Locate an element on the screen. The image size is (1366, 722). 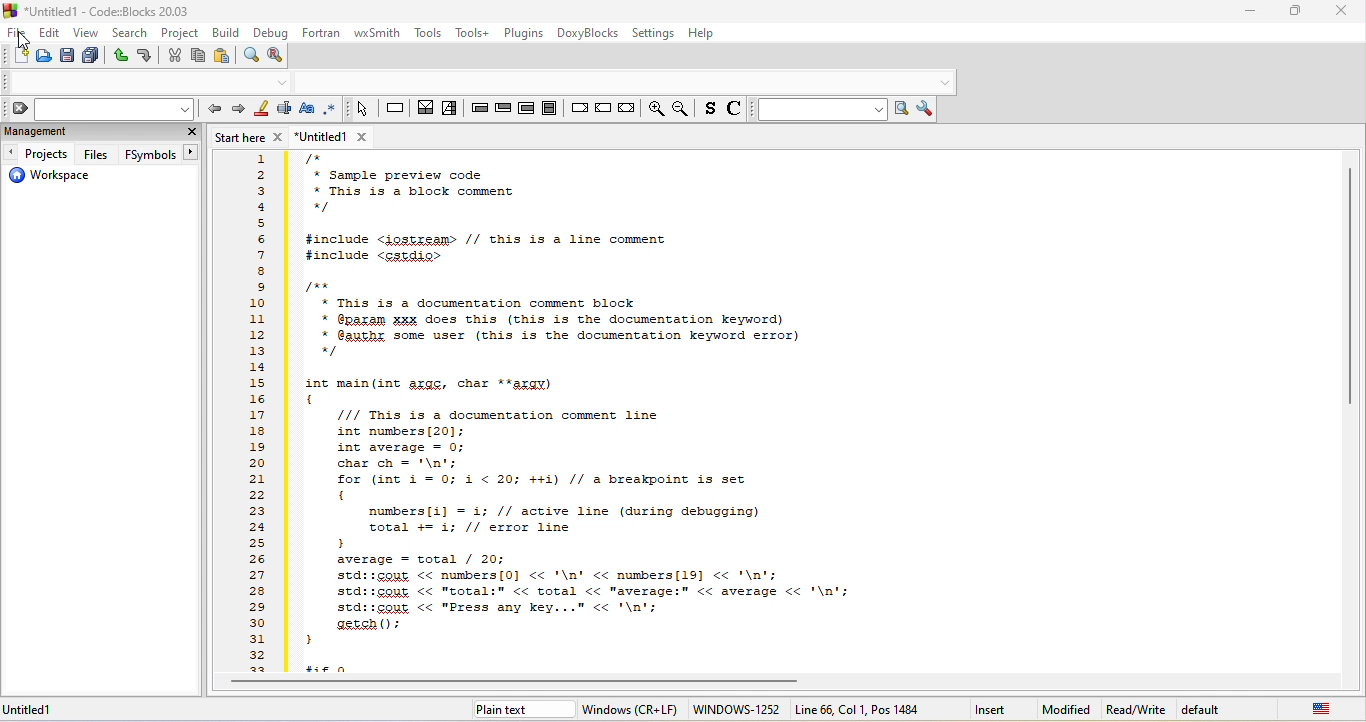
search to text is located at coordinates (819, 111).